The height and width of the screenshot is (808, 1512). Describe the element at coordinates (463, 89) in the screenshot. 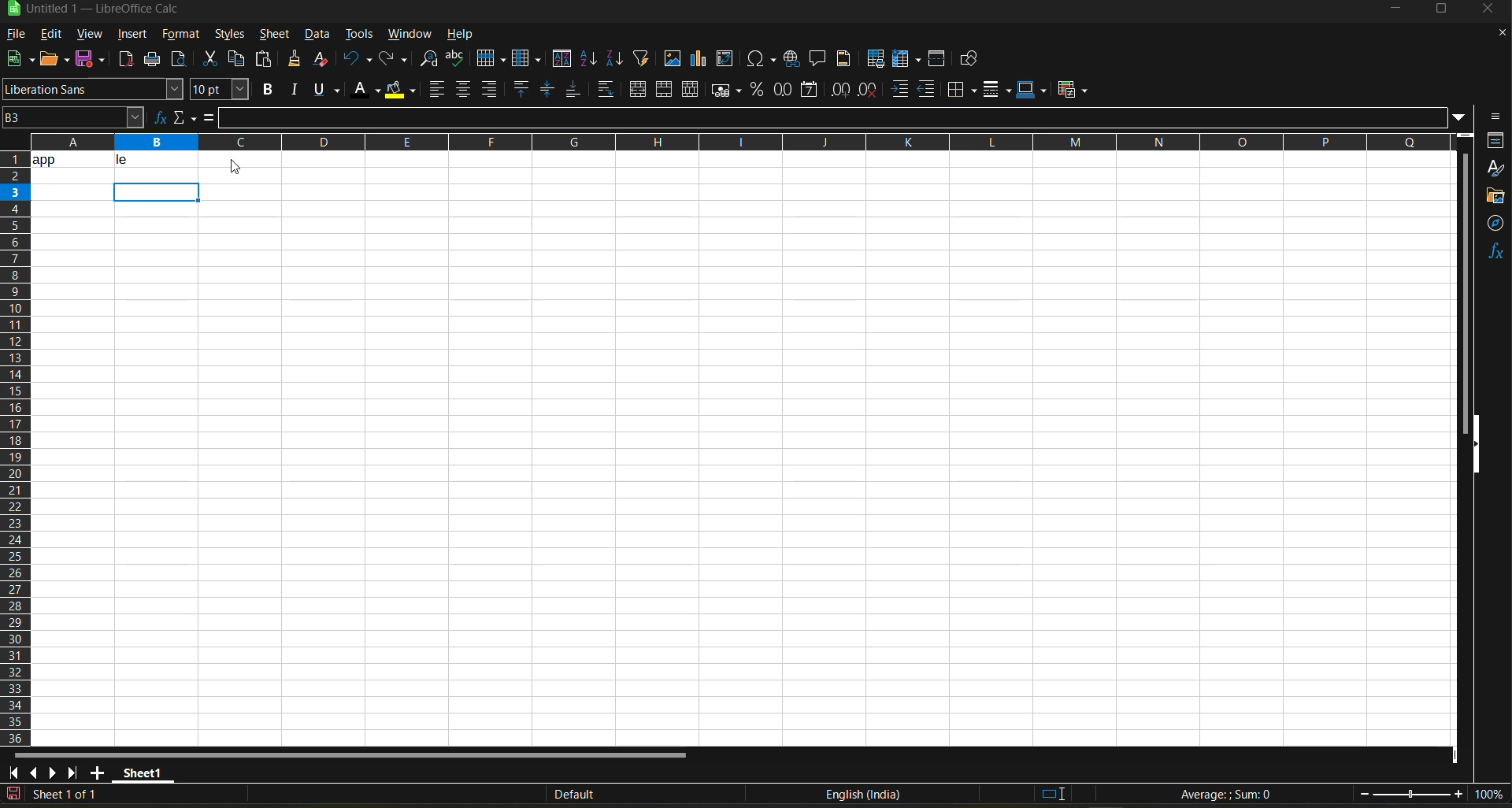

I see `align center` at that location.